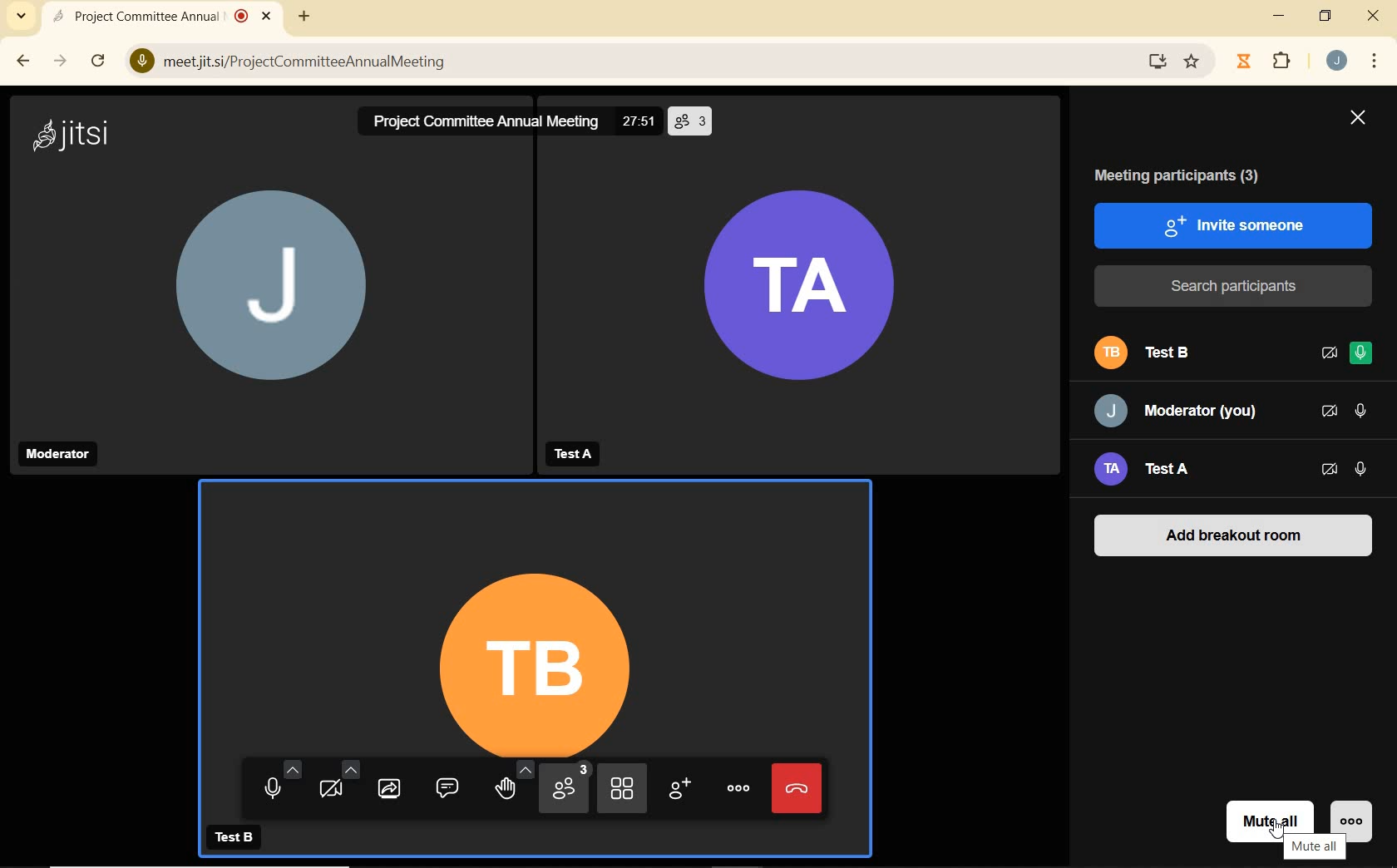  Describe the element at coordinates (1281, 18) in the screenshot. I see `MINIMIZE` at that location.